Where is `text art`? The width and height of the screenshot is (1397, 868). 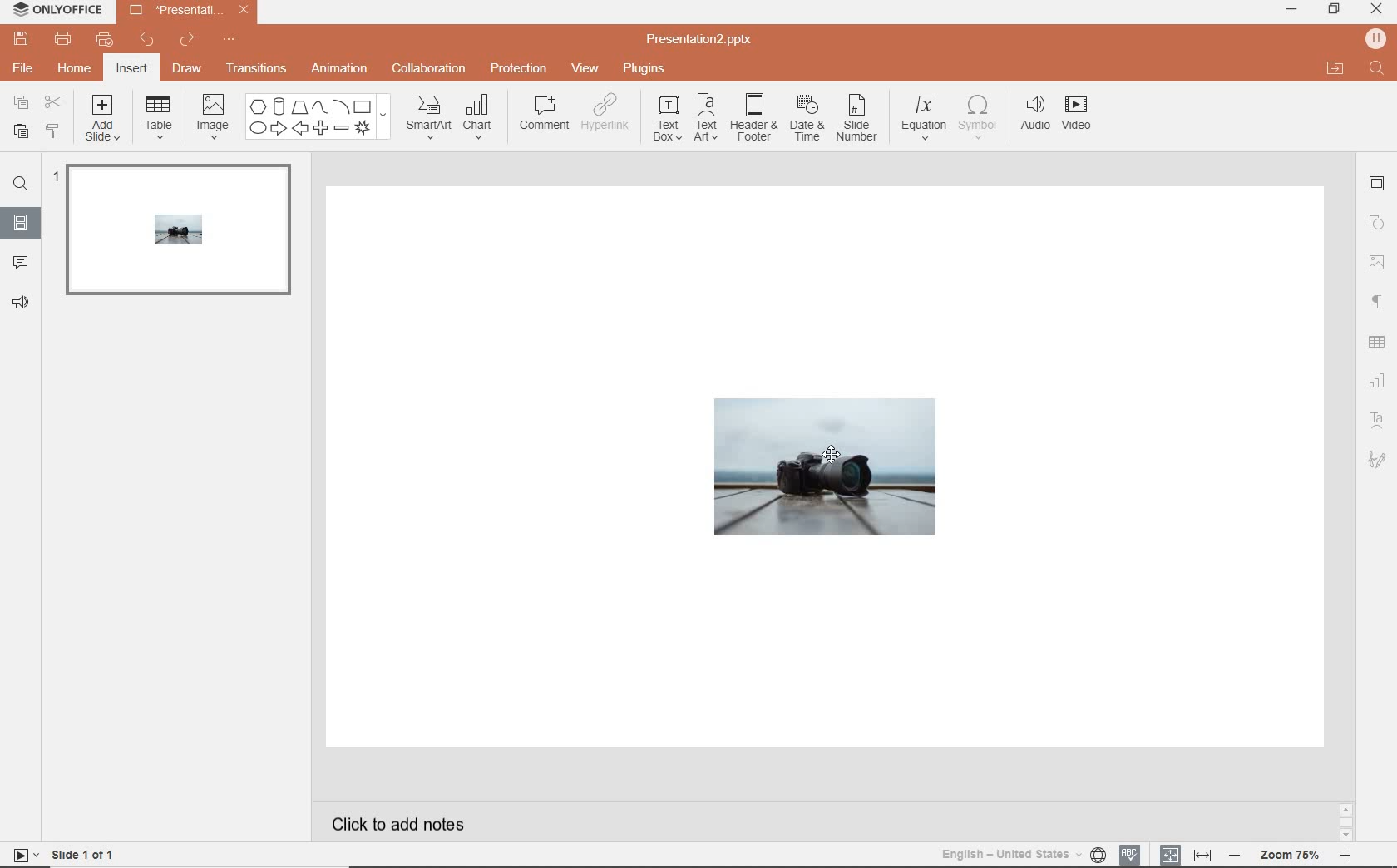 text art is located at coordinates (1377, 421).